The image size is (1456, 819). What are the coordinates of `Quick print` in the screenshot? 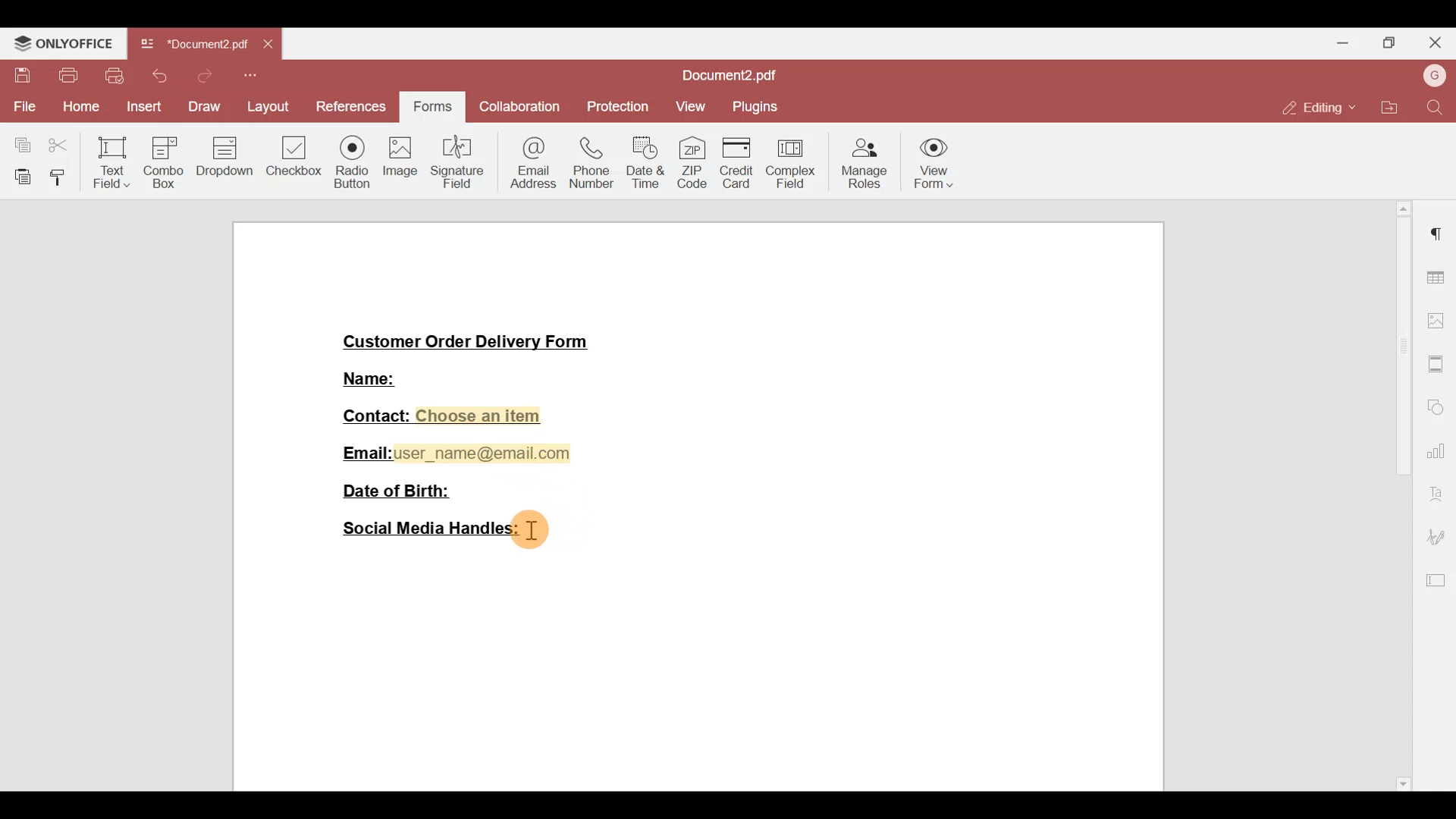 It's located at (116, 76).